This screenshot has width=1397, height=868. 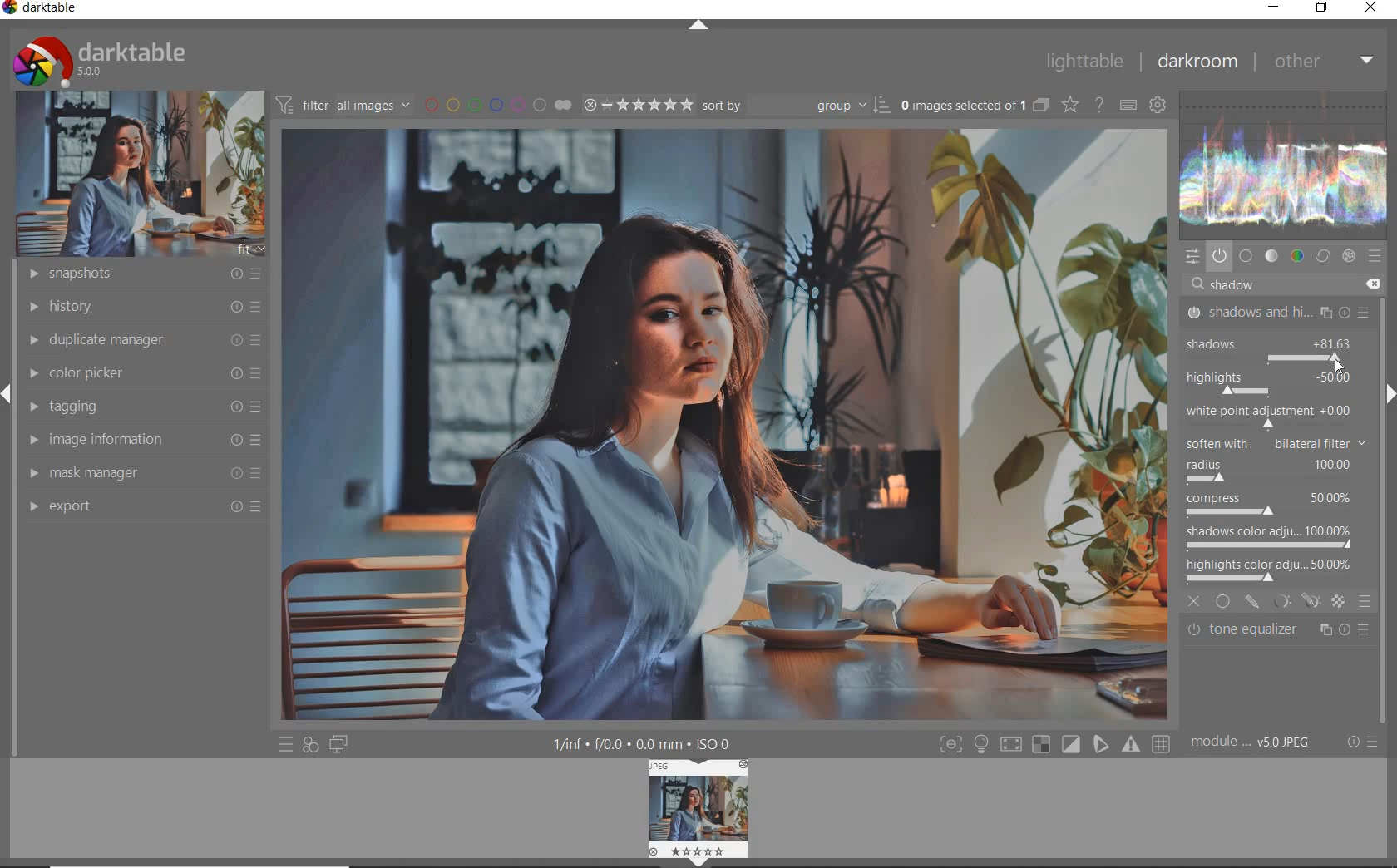 I want to click on expand/collapse, so click(x=1389, y=394).